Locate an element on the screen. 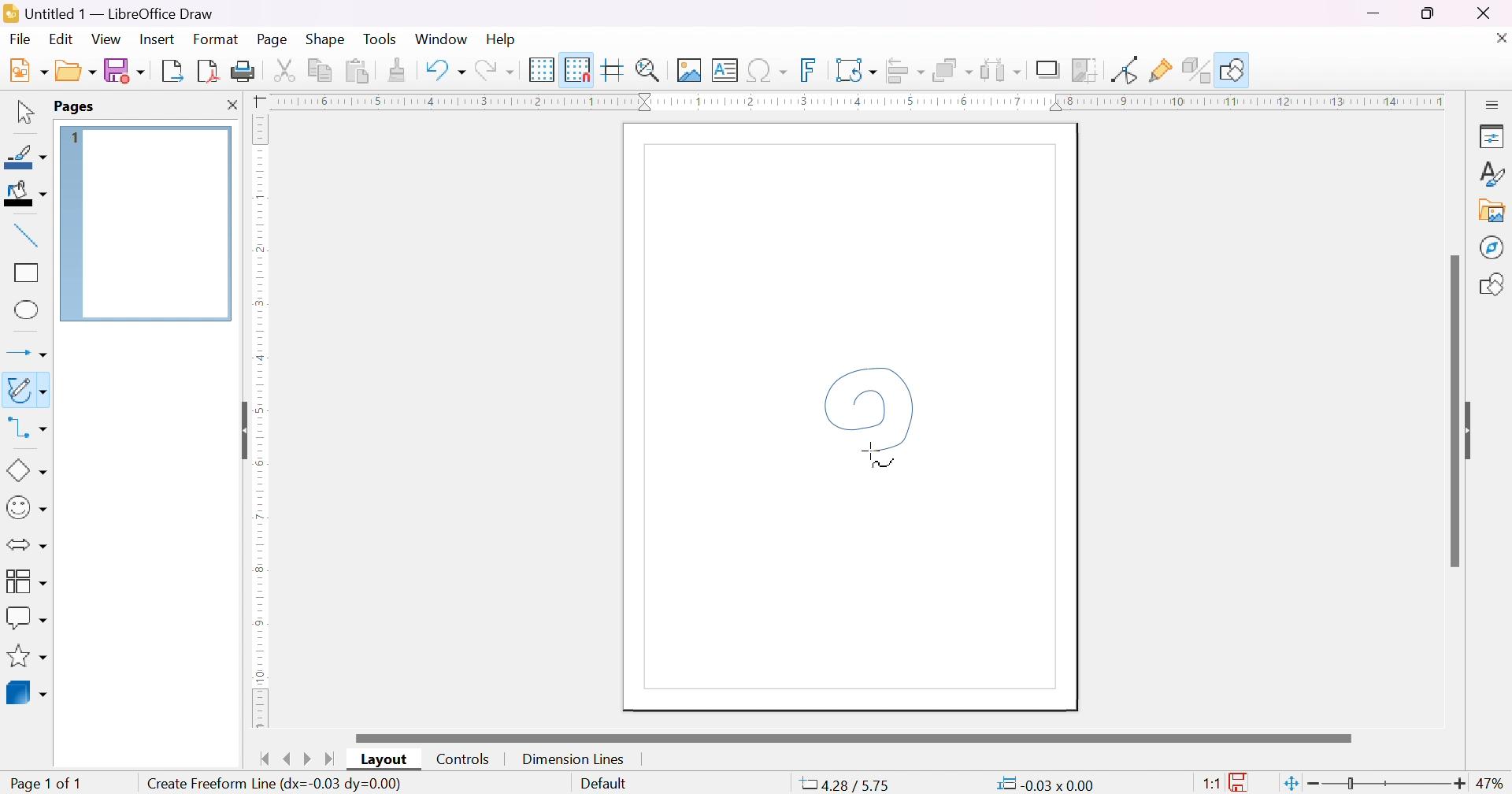 This screenshot has height=794, width=1512. ruler is located at coordinates (855, 101).